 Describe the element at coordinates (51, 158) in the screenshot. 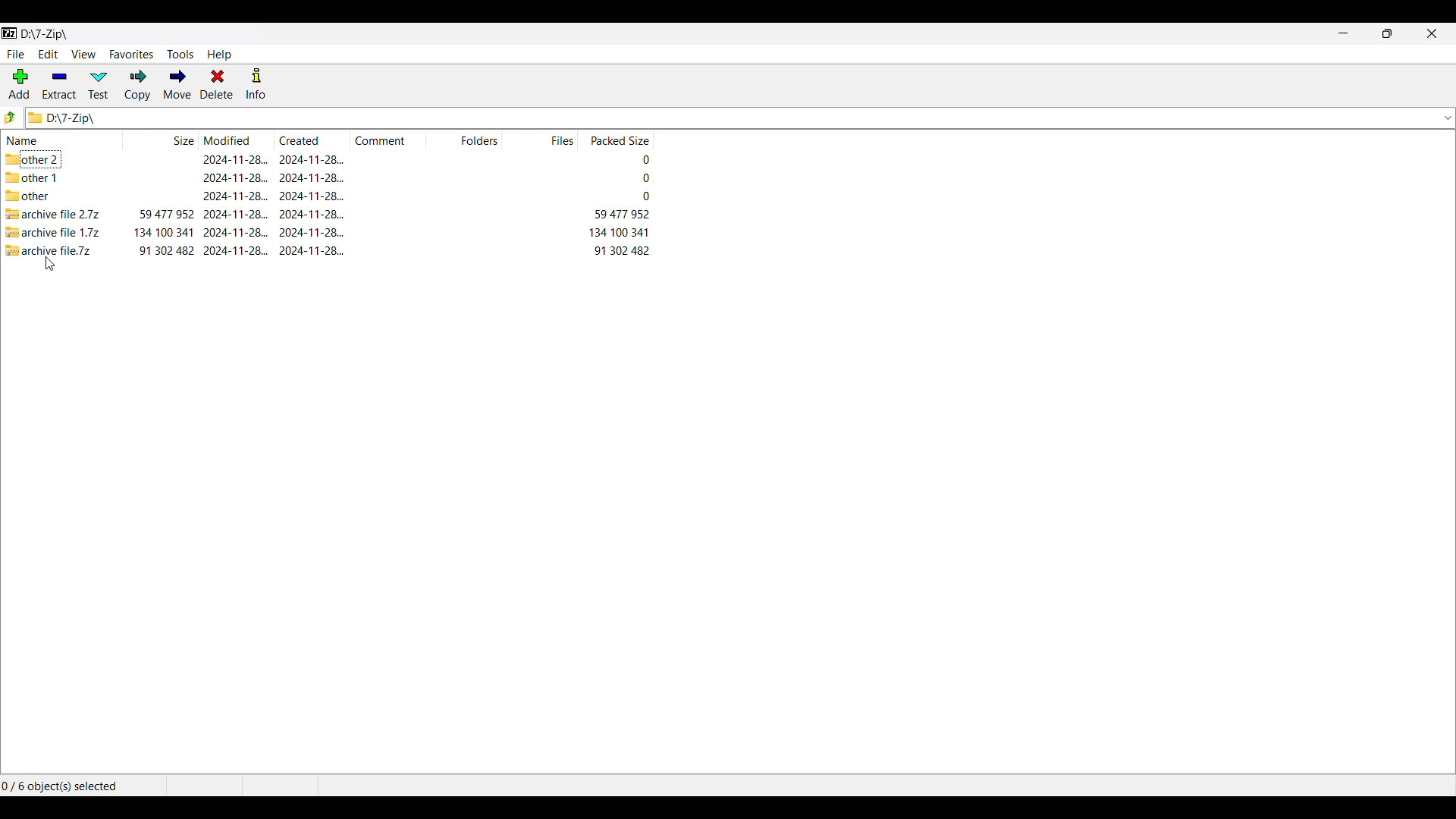

I see `folder` at that location.